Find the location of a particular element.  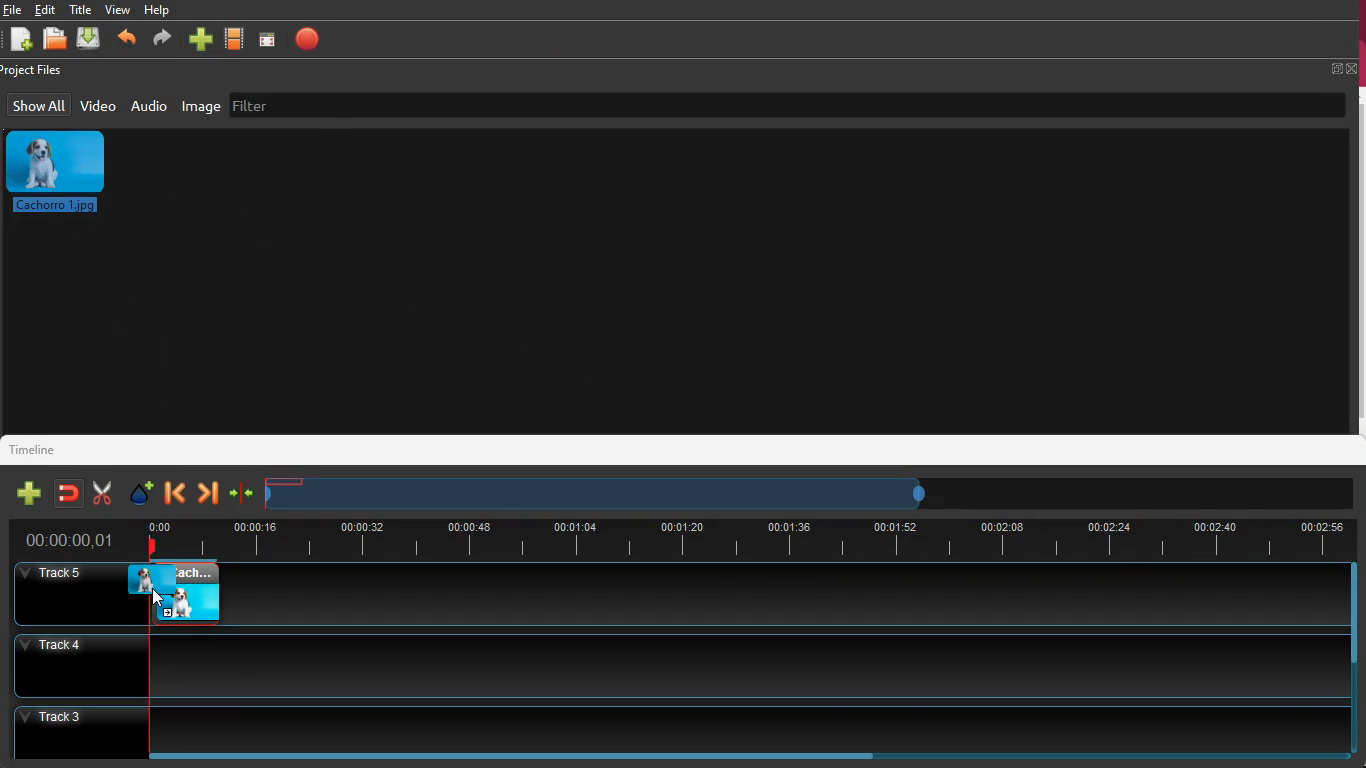

new is located at coordinates (203, 37).